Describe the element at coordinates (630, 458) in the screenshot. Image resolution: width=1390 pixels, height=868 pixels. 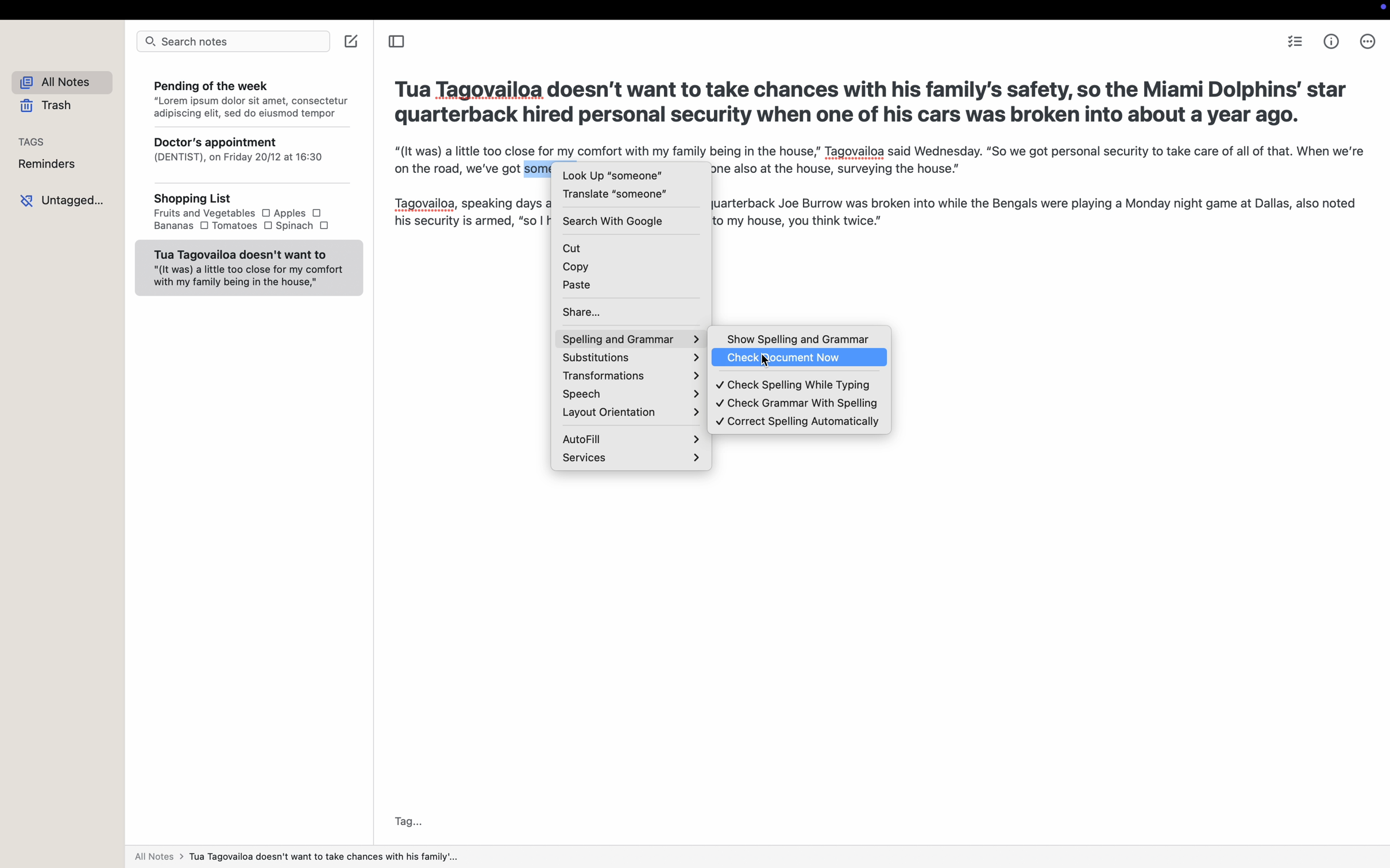
I see `services` at that location.